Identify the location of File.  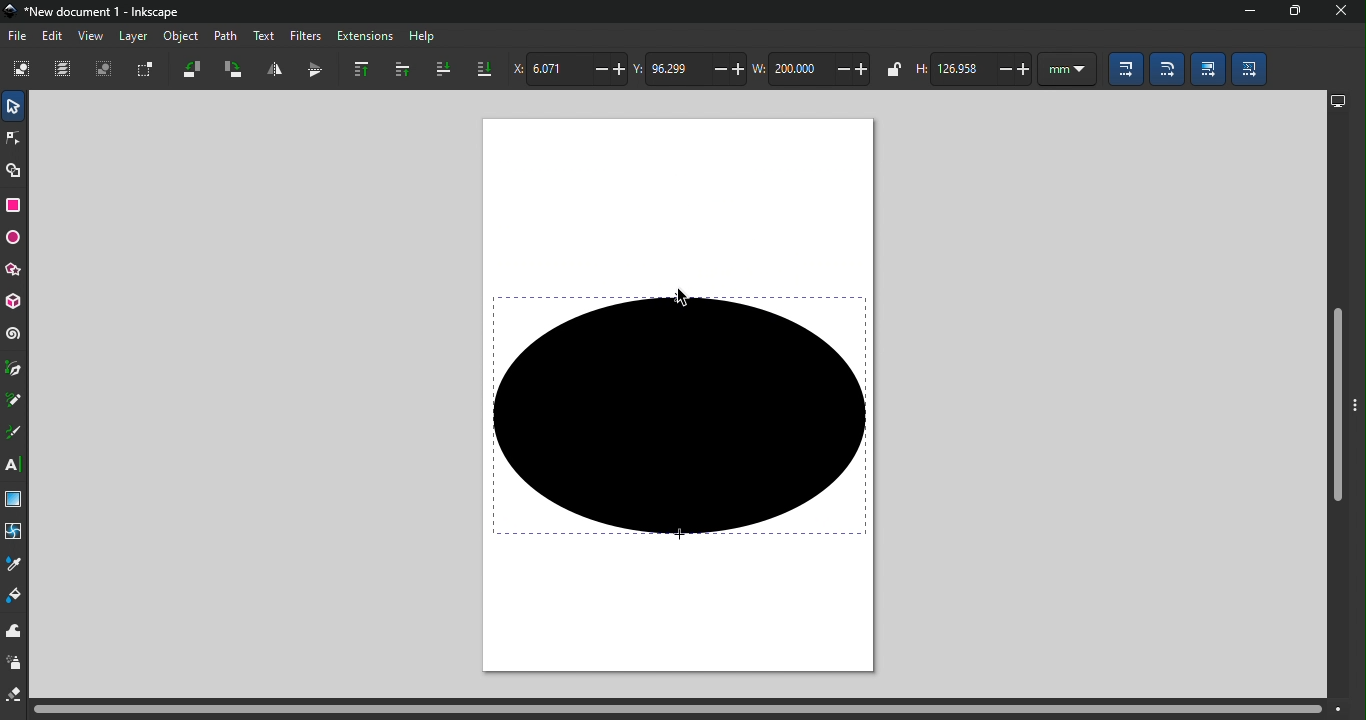
(17, 37).